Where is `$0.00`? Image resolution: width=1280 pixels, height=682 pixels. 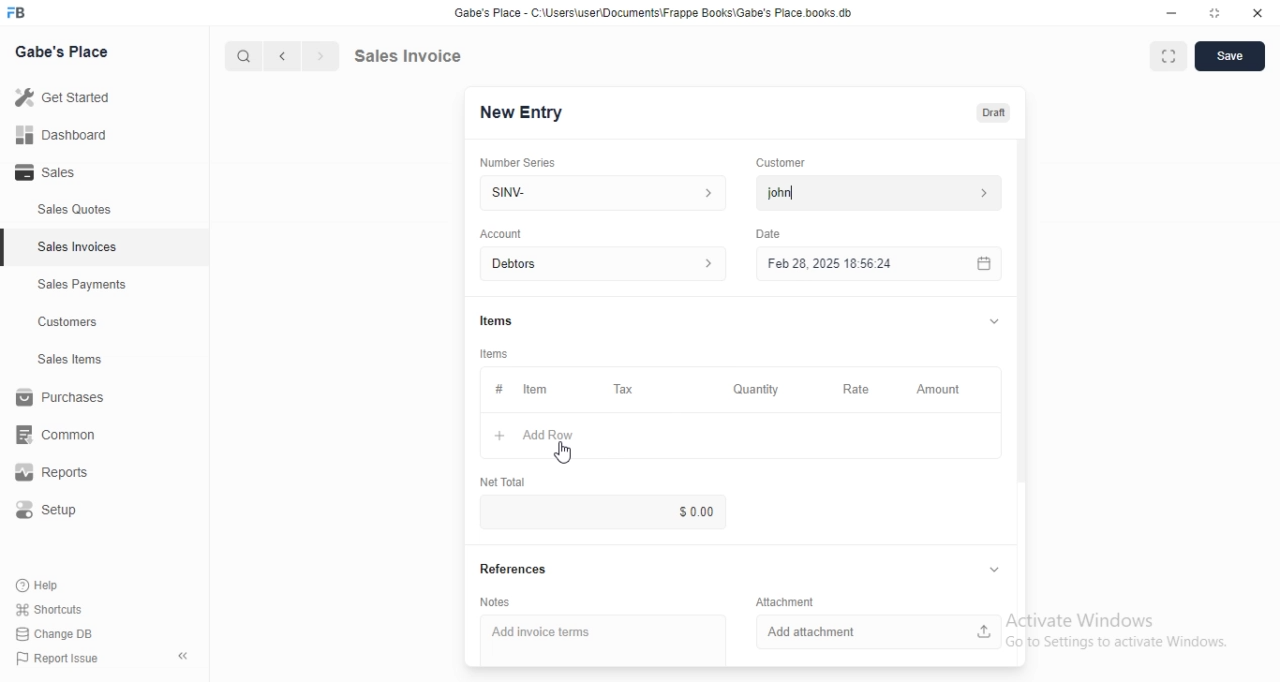 $0.00 is located at coordinates (665, 511).